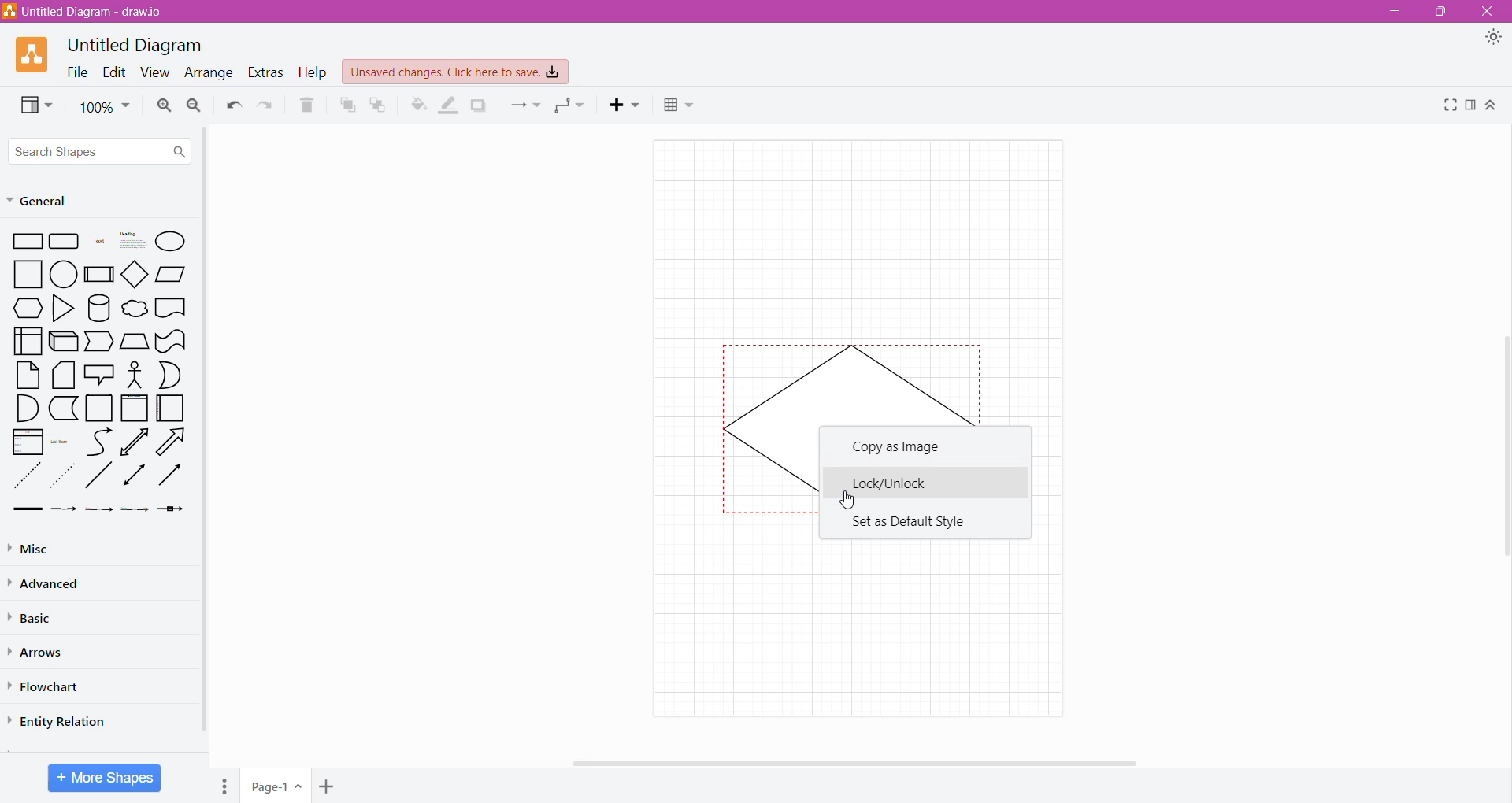 This screenshot has height=803, width=1512. What do you see at coordinates (172, 274) in the screenshot?
I see `Parallelogram` at bounding box center [172, 274].